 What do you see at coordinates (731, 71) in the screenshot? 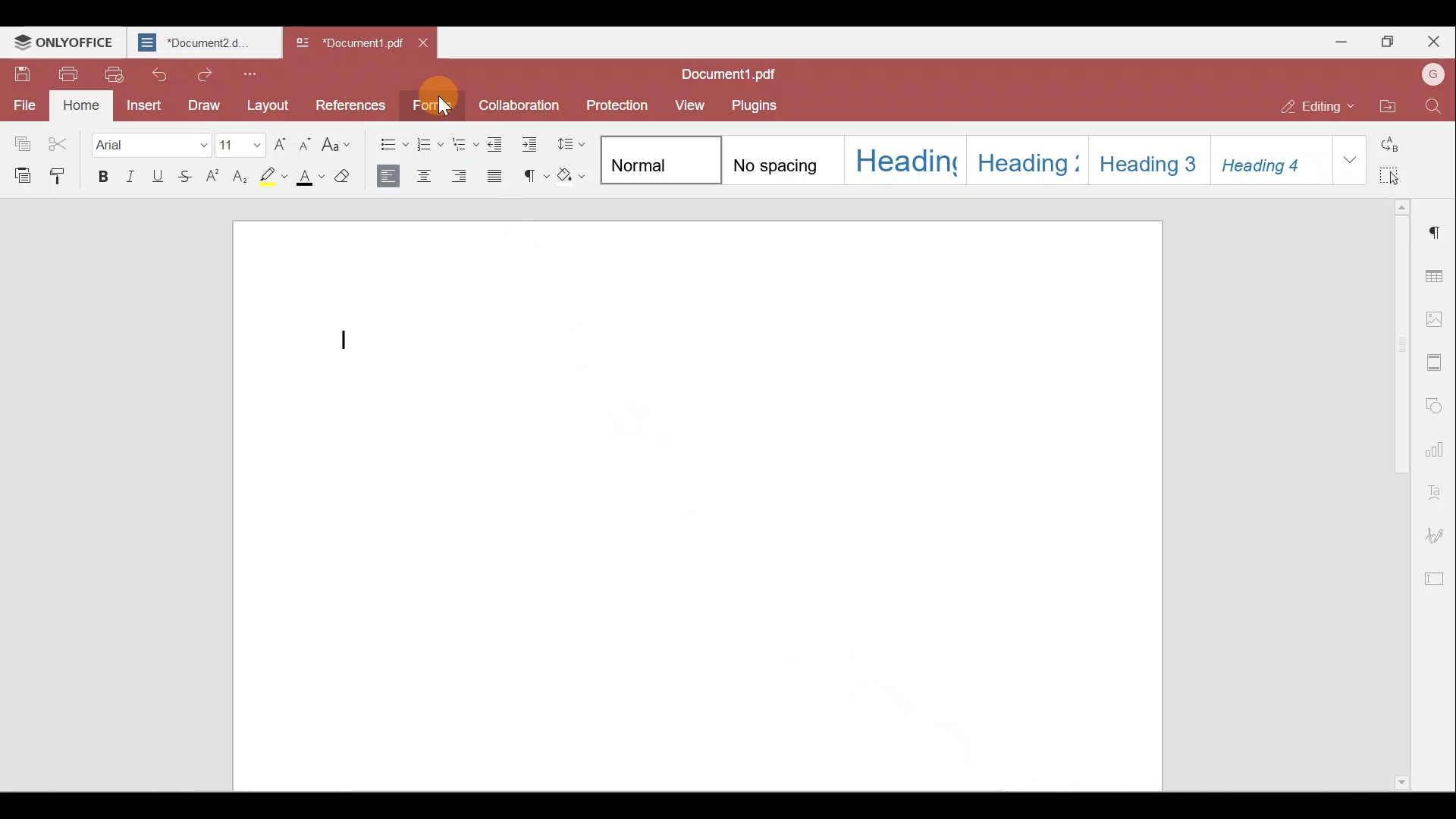
I see `Document1.pdf` at bounding box center [731, 71].